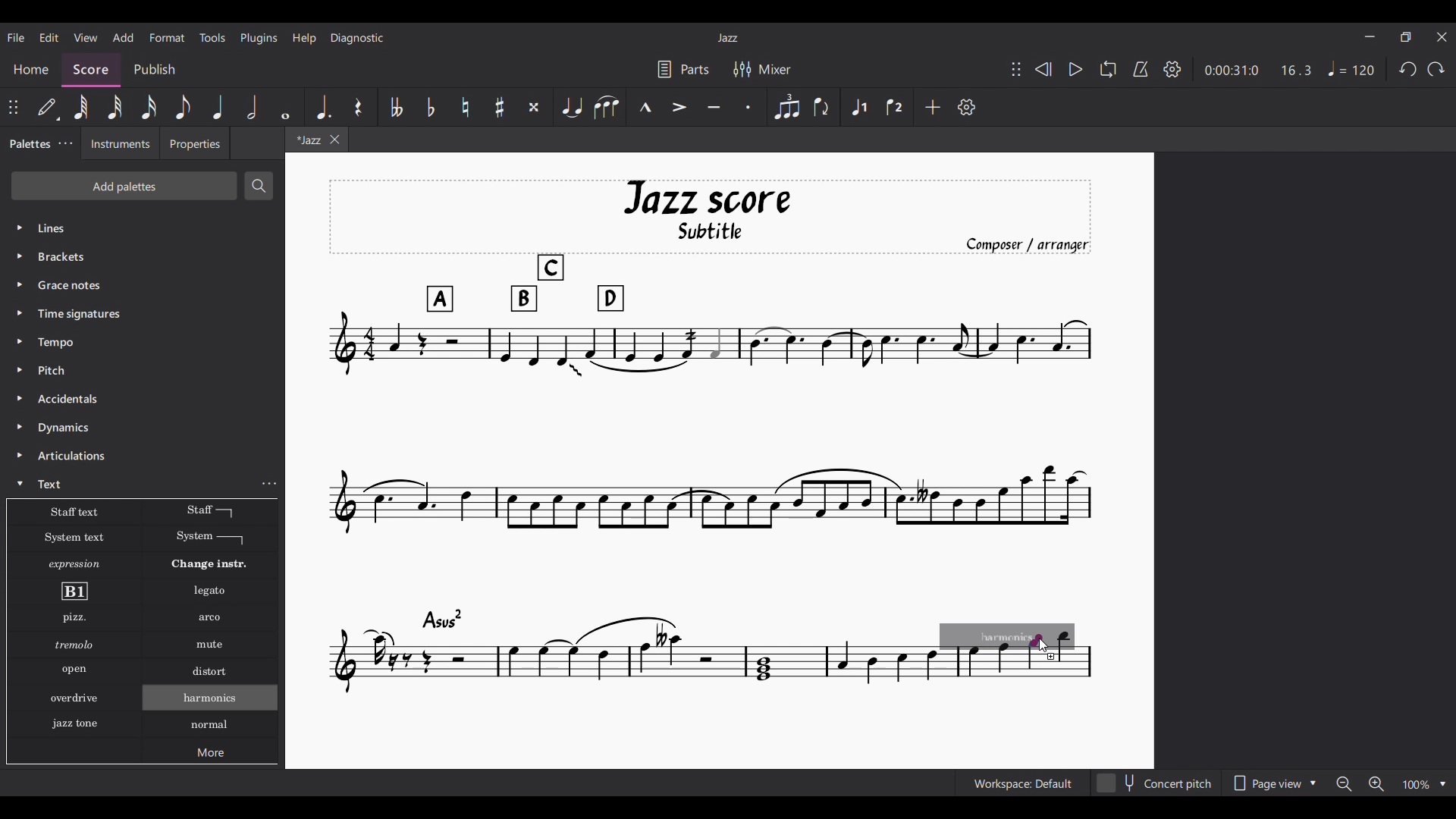 The height and width of the screenshot is (819, 1456). What do you see at coordinates (334, 140) in the screenshot?
I see `Close tab` at bounding box center [334, 140].